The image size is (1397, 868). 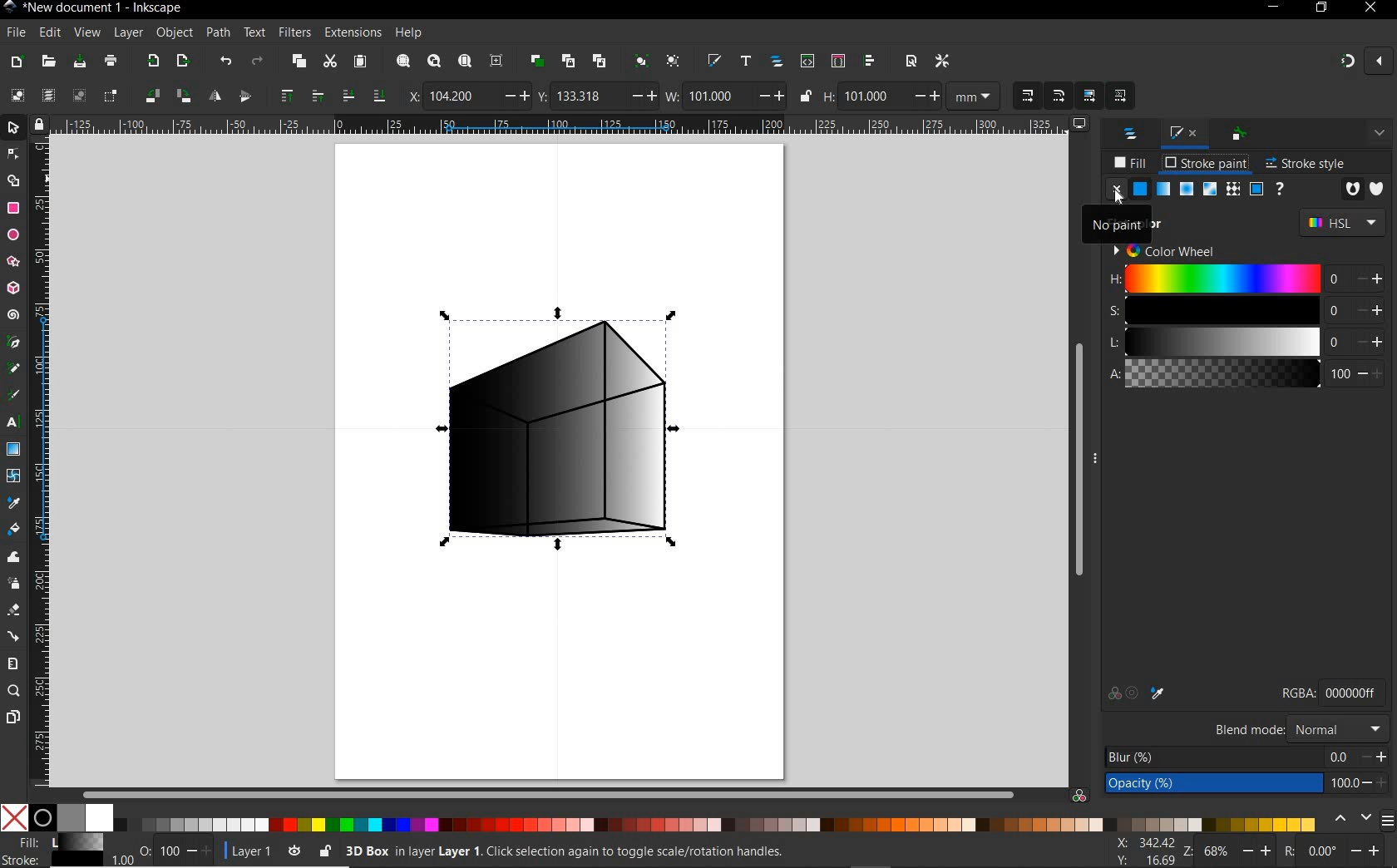 What do you see at coordinates (170, 850) in the screenshot?
I see `100` at bounding box center [170, 850].